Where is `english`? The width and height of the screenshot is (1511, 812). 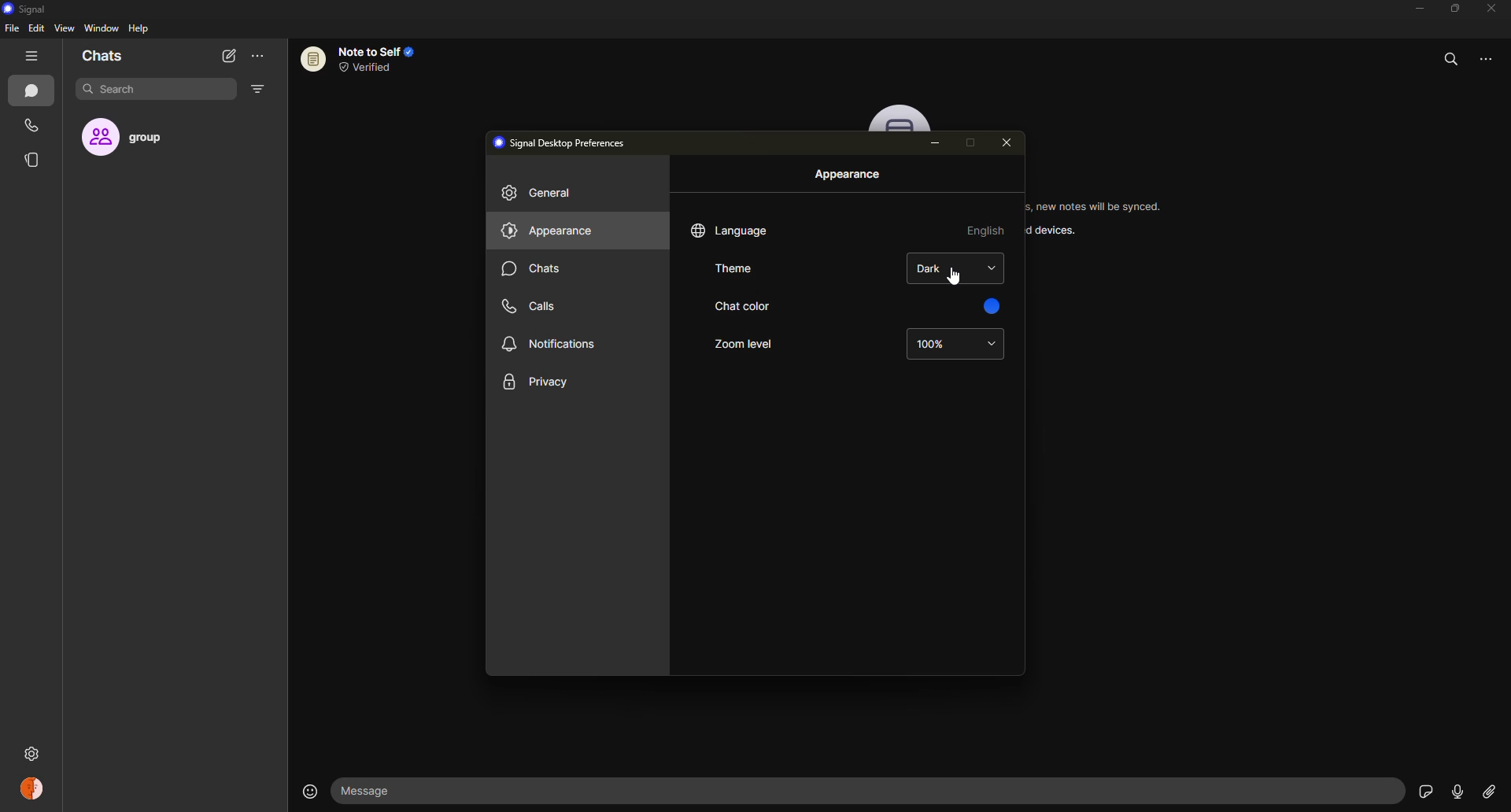
english is located at coordinates (987, 230).